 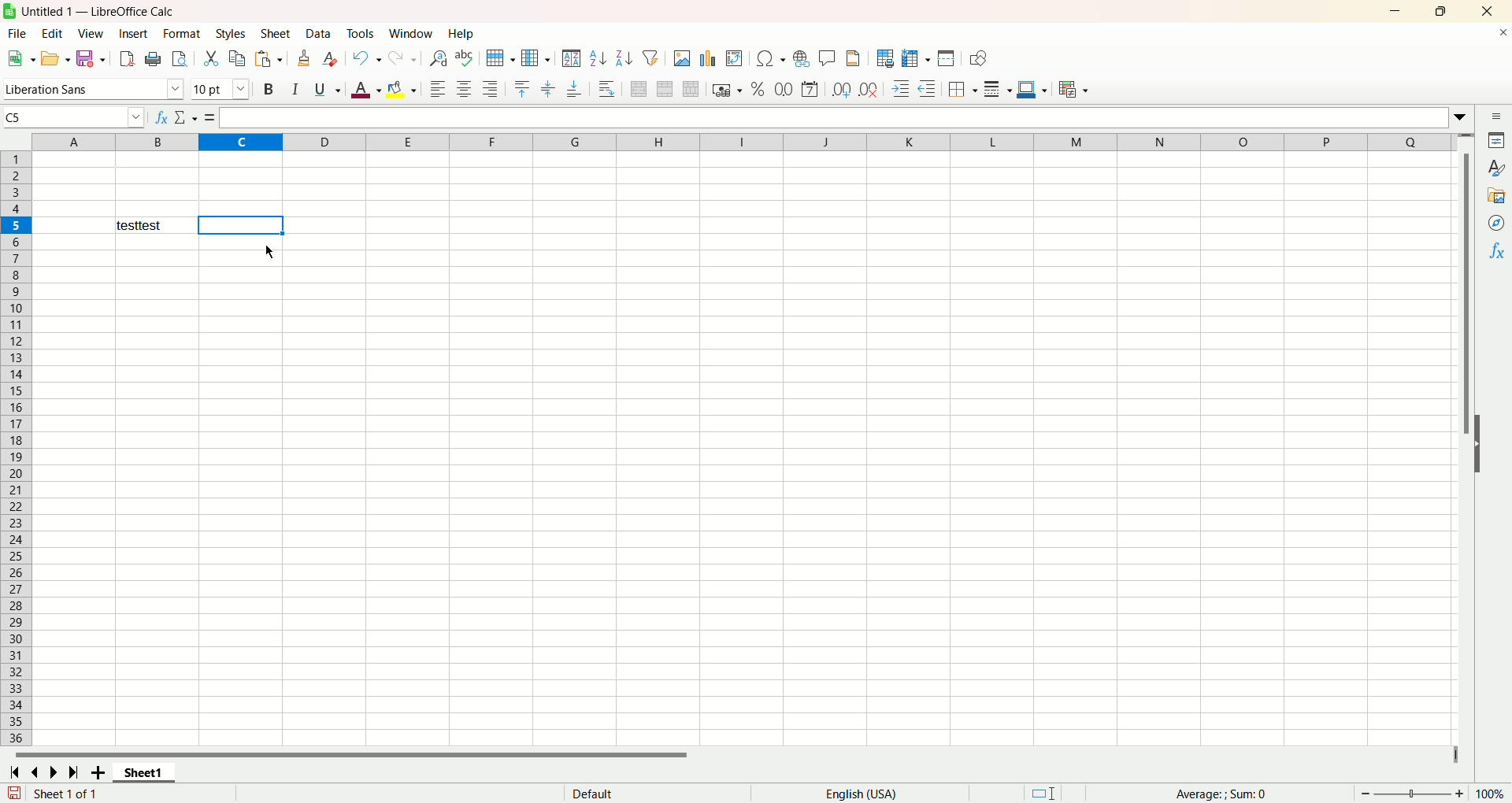 I want to click on row, so click(x=16, y=225).